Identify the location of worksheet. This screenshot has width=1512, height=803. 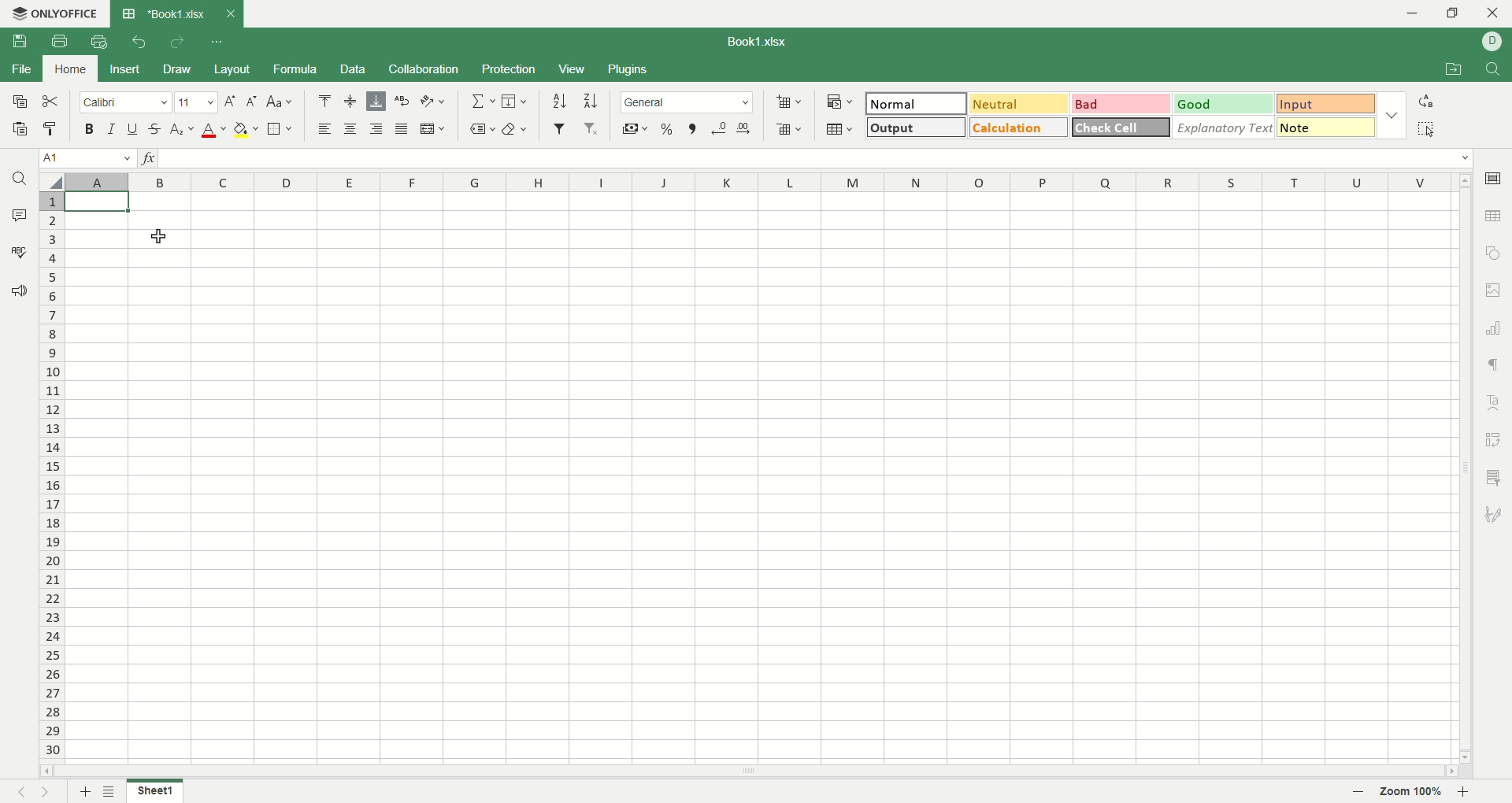
(763, 479).